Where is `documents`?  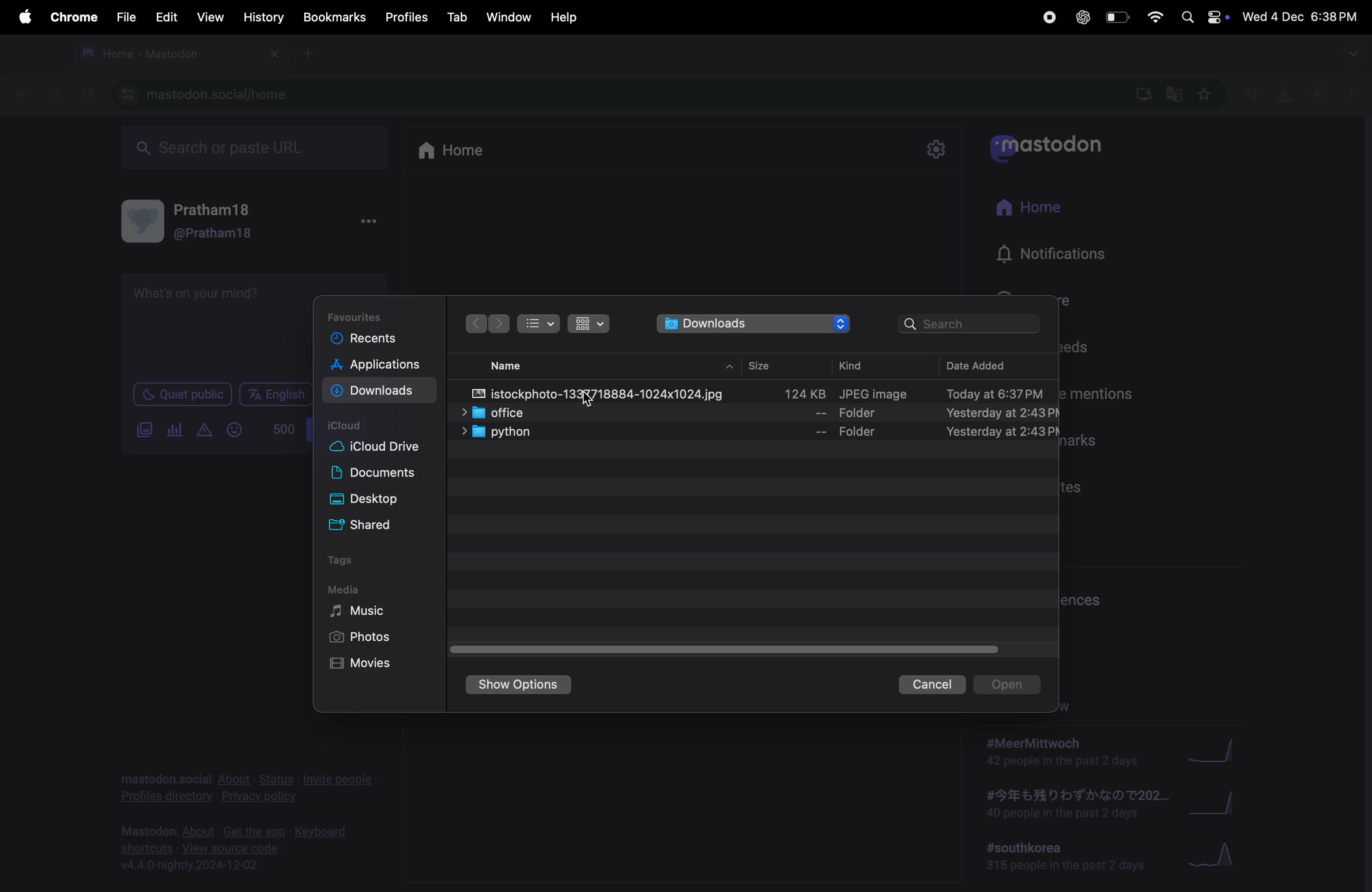 documents is located at coordinates (383, 474).